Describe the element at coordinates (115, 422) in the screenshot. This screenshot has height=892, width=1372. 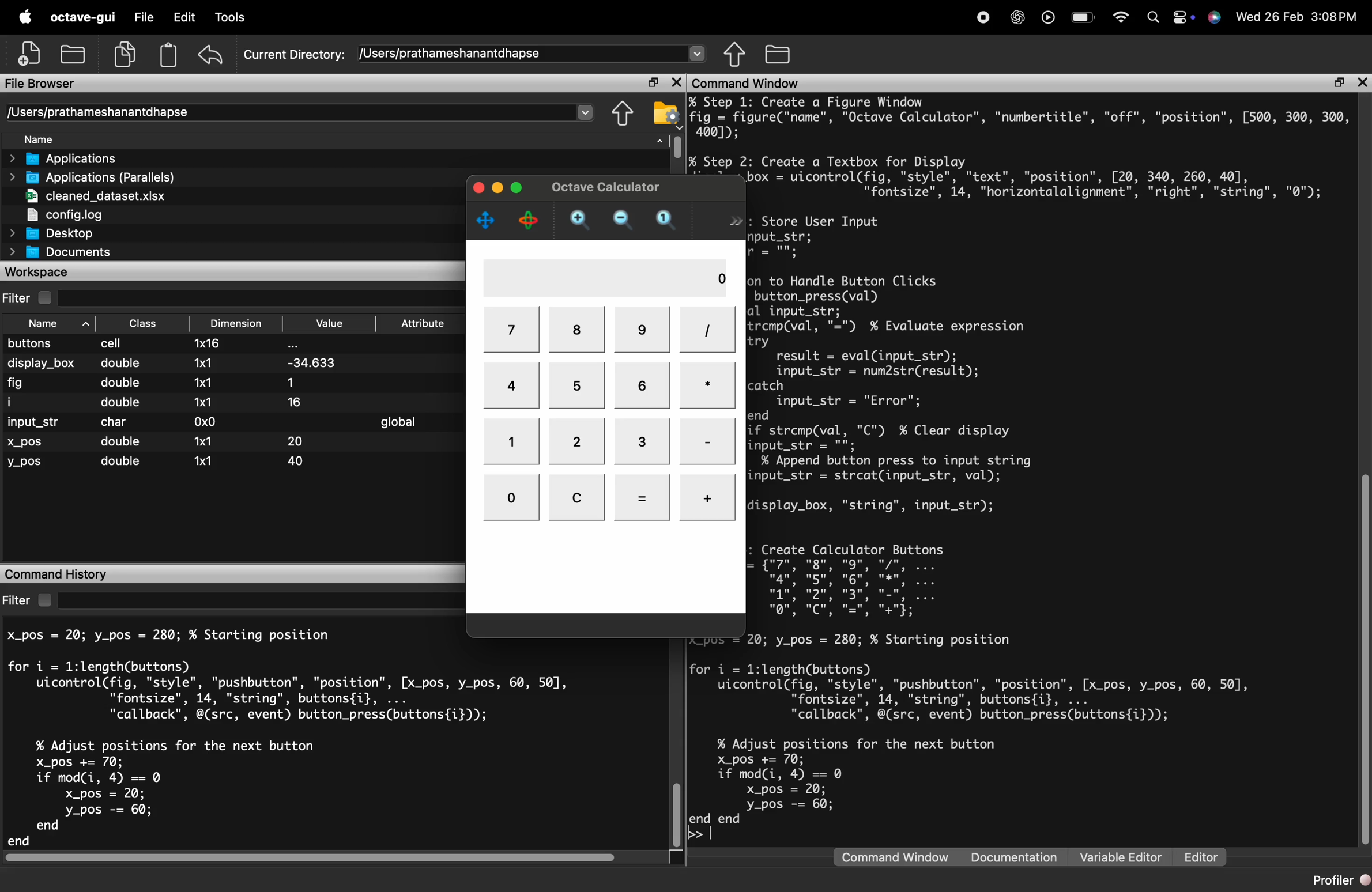
I see `char` at that location.